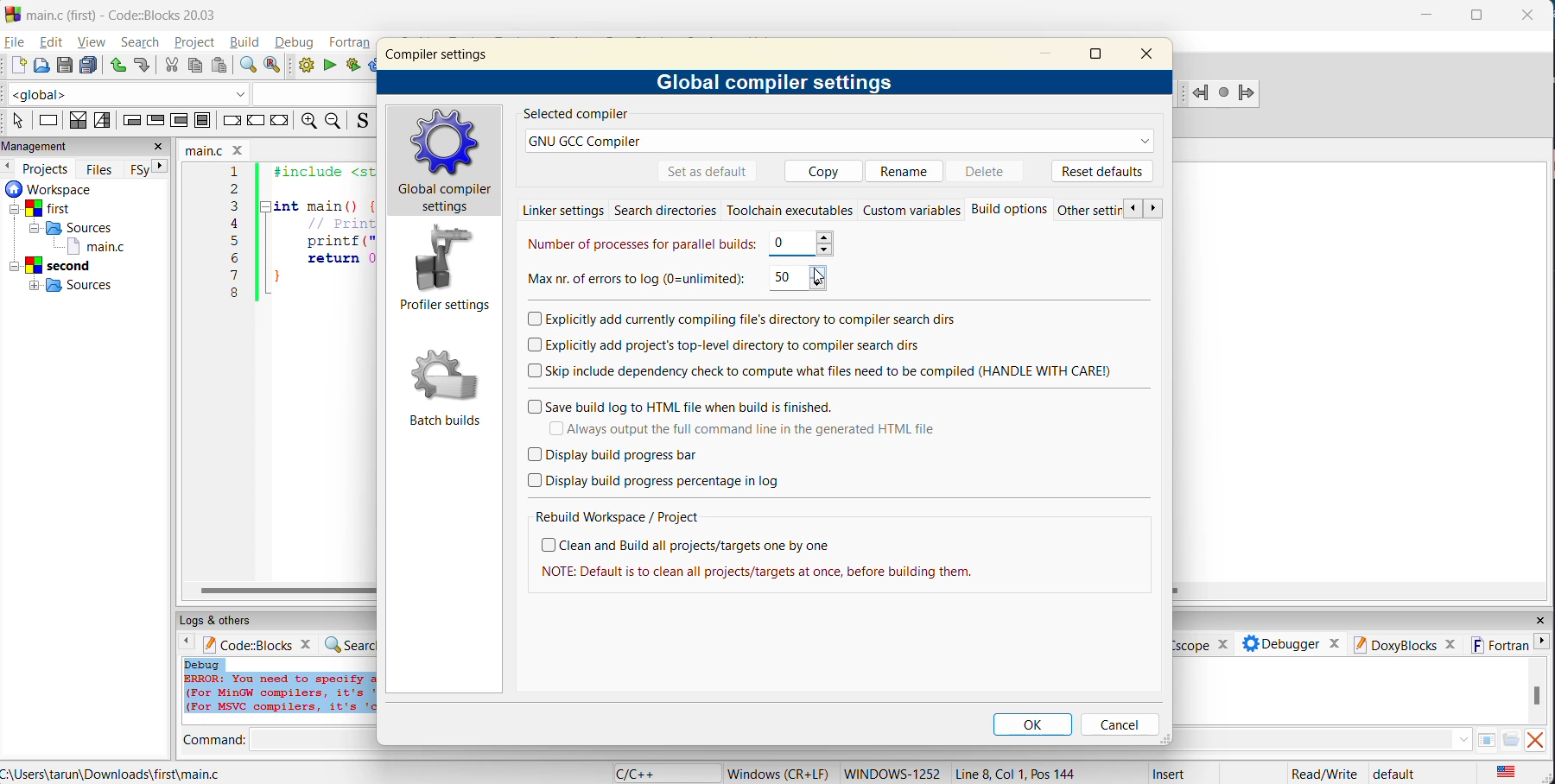 This screenshot has height=784, width=1555. Describe the element at coordinates (1198, 93) in the screenshot. I see `Jump back` at that location.